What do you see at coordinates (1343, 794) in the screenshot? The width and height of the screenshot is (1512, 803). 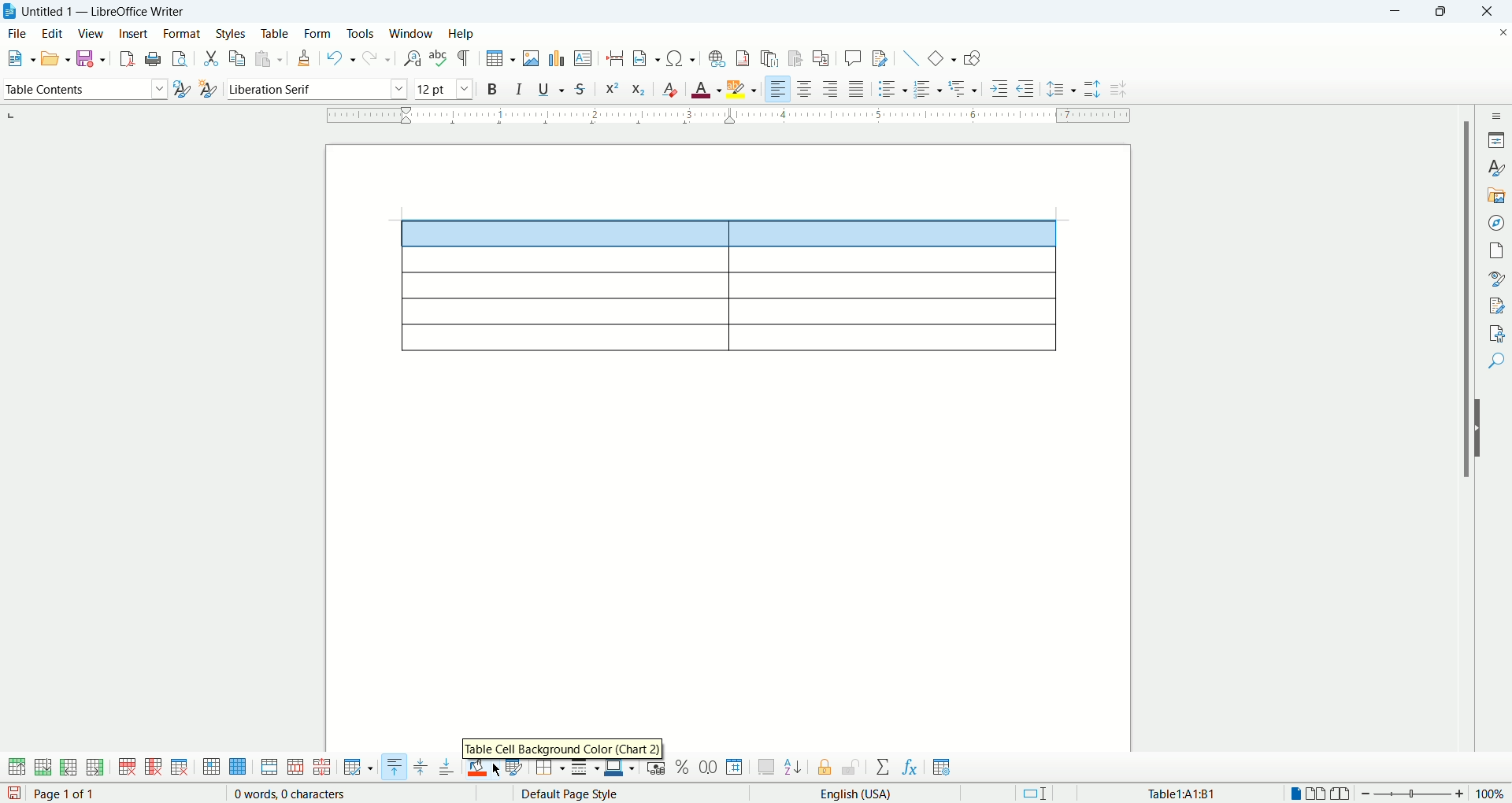 I see `book view` at bounding box center [1343, 794].